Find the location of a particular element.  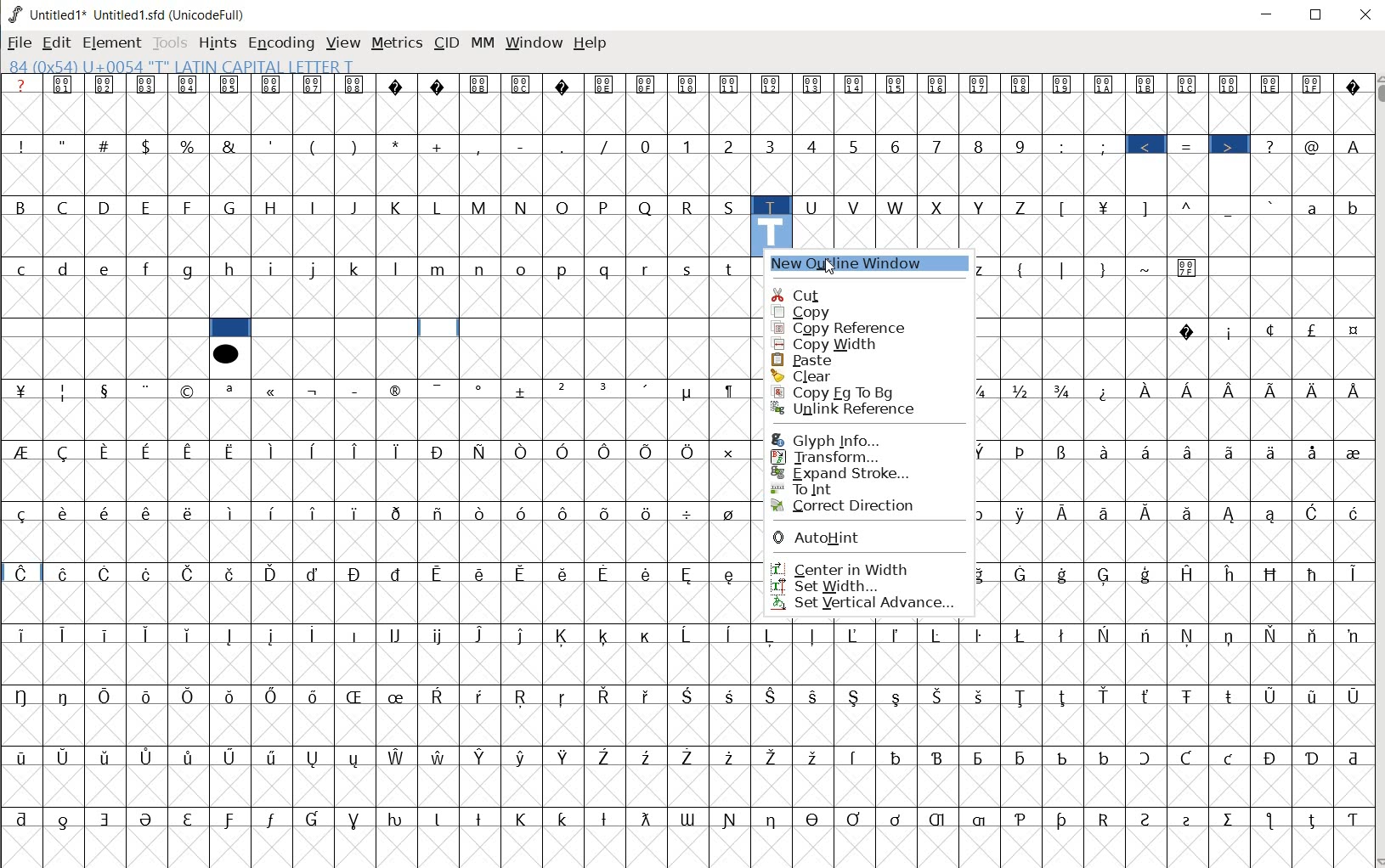

file is located at coordinates (20, 44).